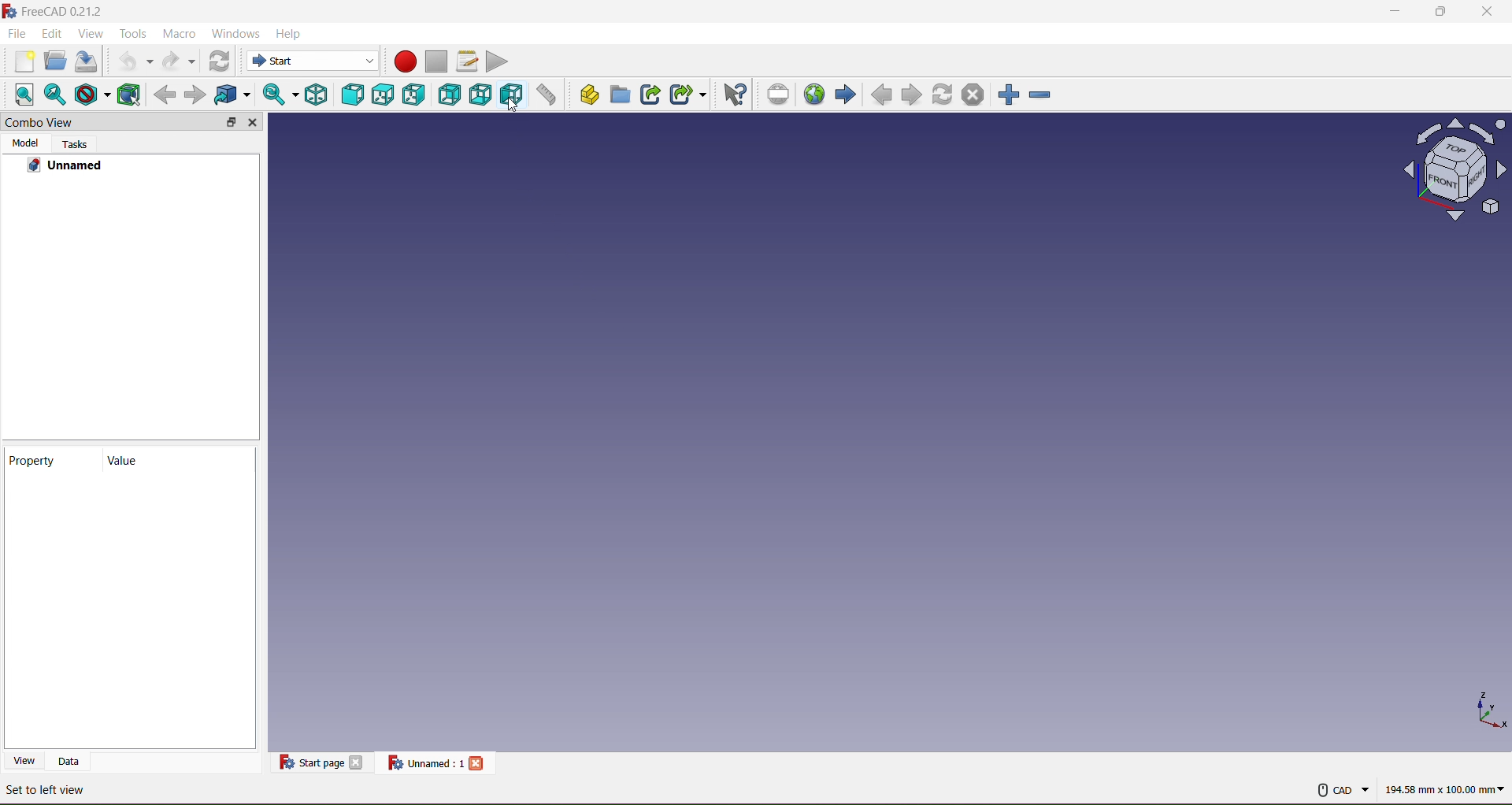  Describe the element at coordinates (650, 93) in the screenshot. I see `Make Sink` at that location.